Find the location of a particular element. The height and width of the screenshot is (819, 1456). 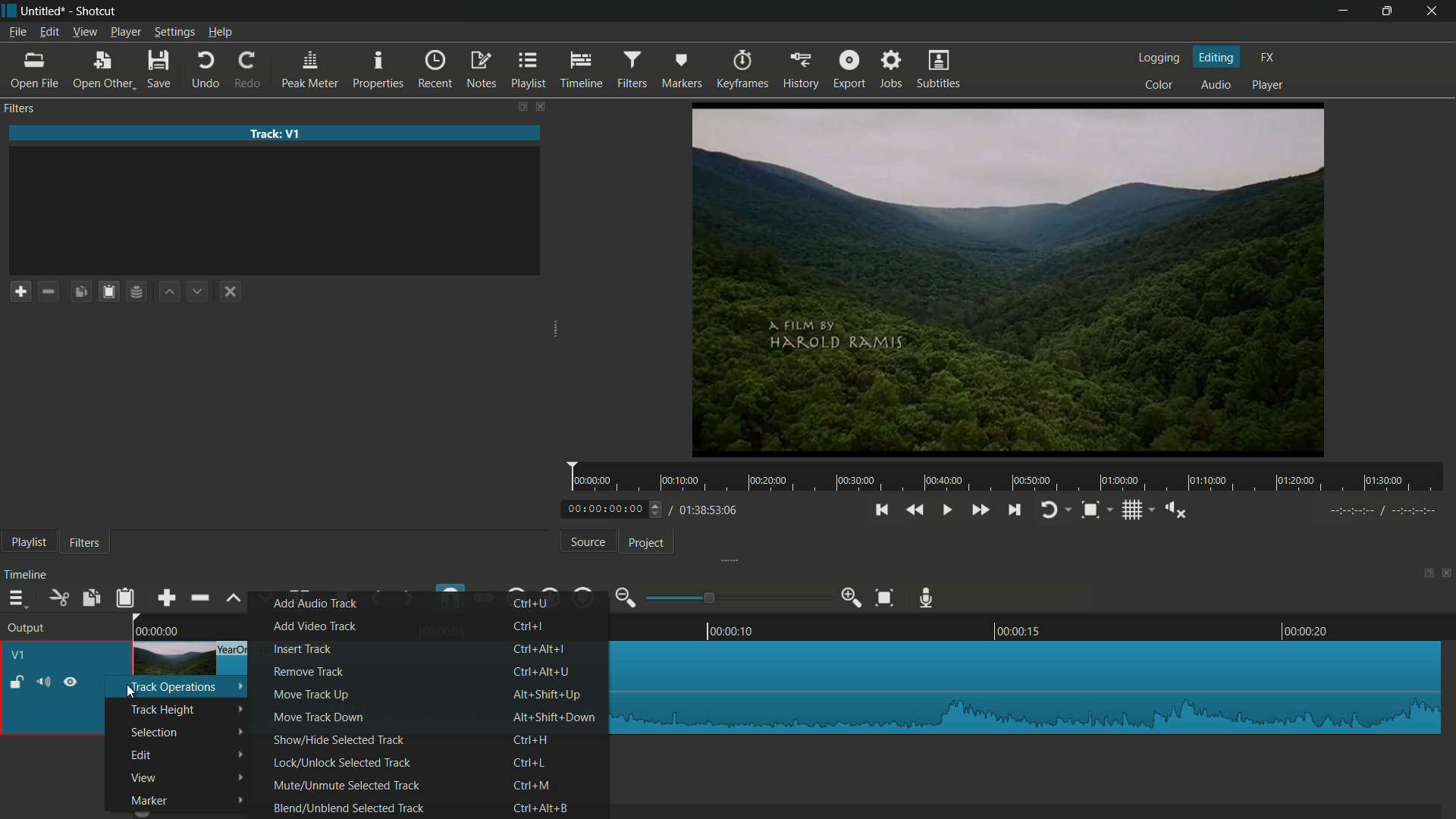

filters is located at coordinates (21, 109).